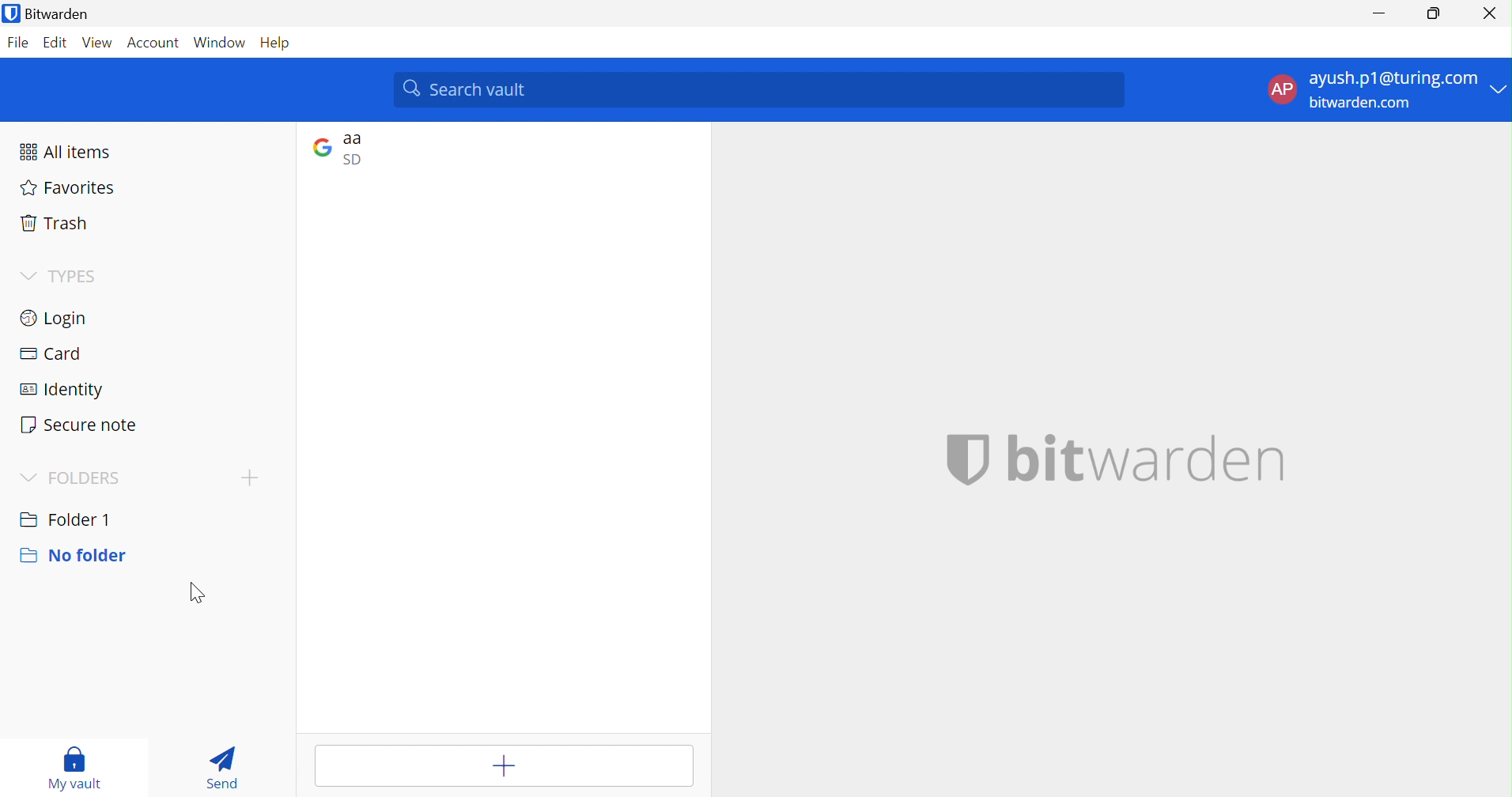 This screenshot has height=797, width=1512. Describe the element at coordinates (85, 478) in the screenshot. I see `FOLDERS` at that location.